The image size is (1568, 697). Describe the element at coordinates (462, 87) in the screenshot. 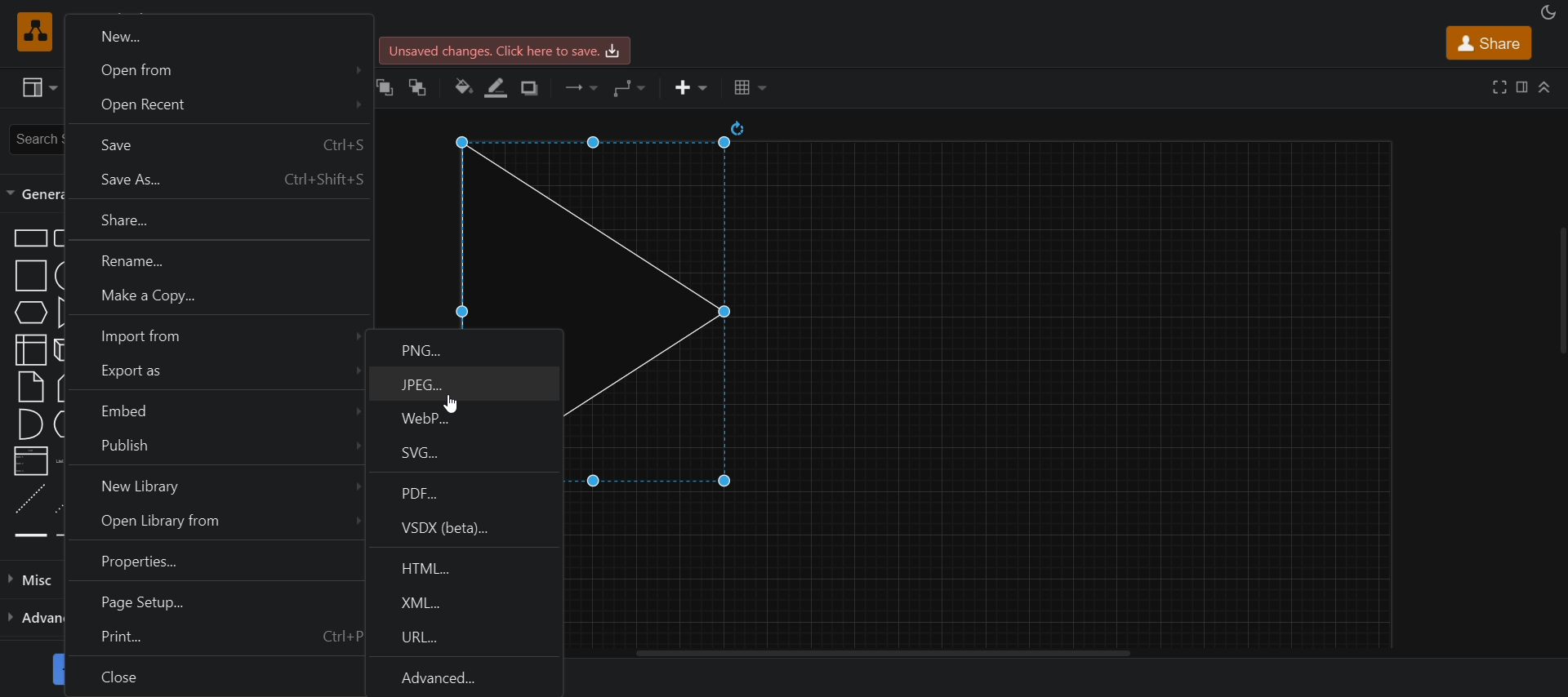

I see `fill color` at that location.